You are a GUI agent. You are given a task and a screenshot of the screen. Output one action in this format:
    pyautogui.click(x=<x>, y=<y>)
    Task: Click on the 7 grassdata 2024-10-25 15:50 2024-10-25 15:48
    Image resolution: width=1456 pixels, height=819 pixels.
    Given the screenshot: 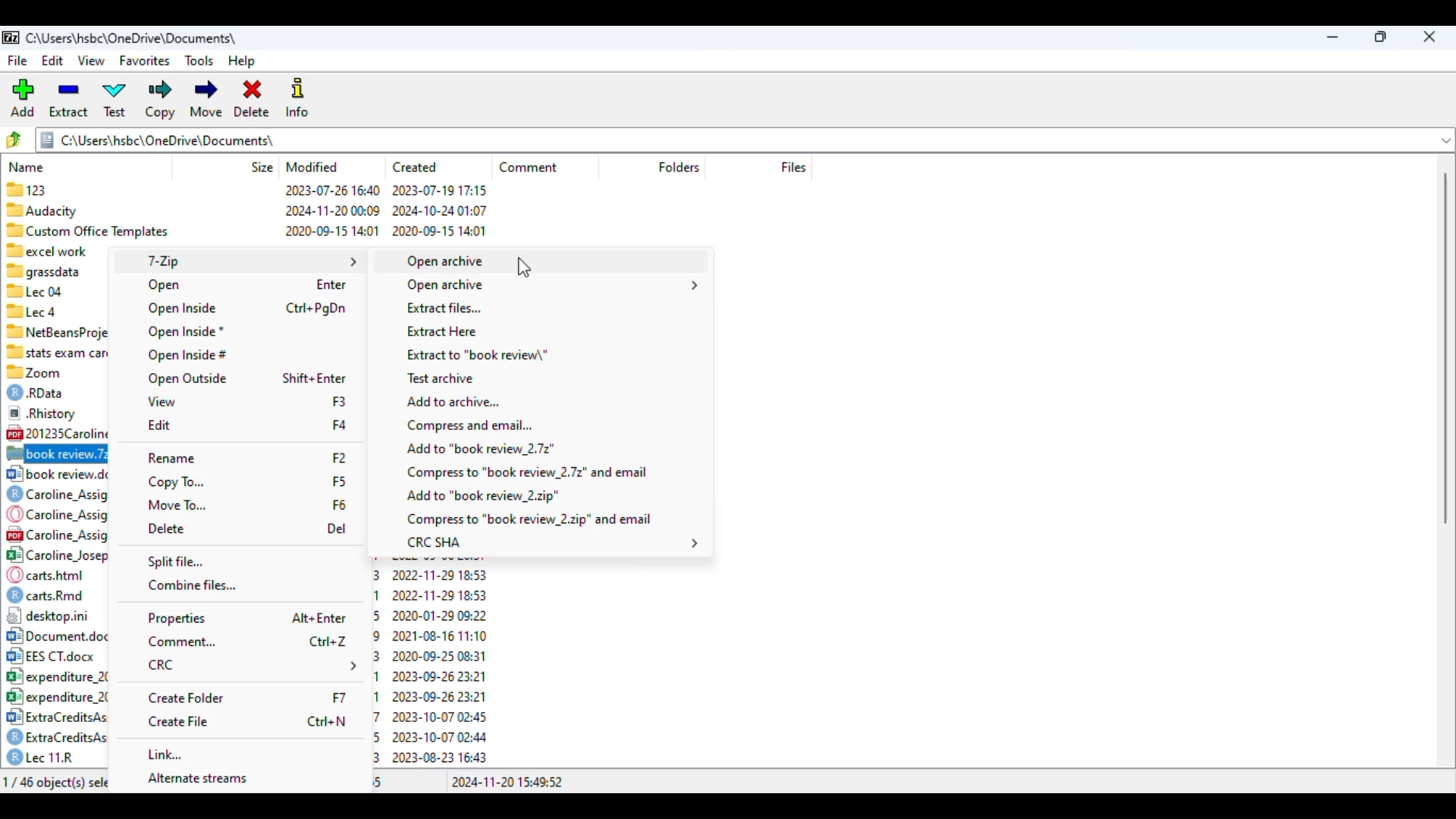 What is the action you would take?
    pyautogui.click(x=57, y=271)
    